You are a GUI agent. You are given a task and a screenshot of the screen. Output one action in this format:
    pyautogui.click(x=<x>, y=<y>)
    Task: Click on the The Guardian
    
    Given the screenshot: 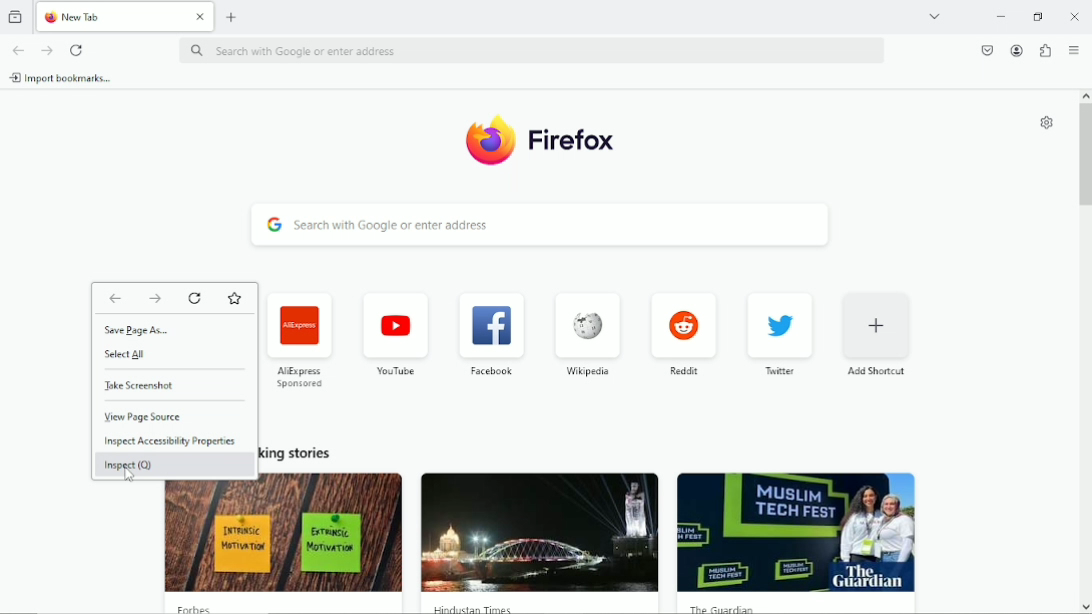 What is the action you would take?
    pyautogui.click(x=720, y=608)
    